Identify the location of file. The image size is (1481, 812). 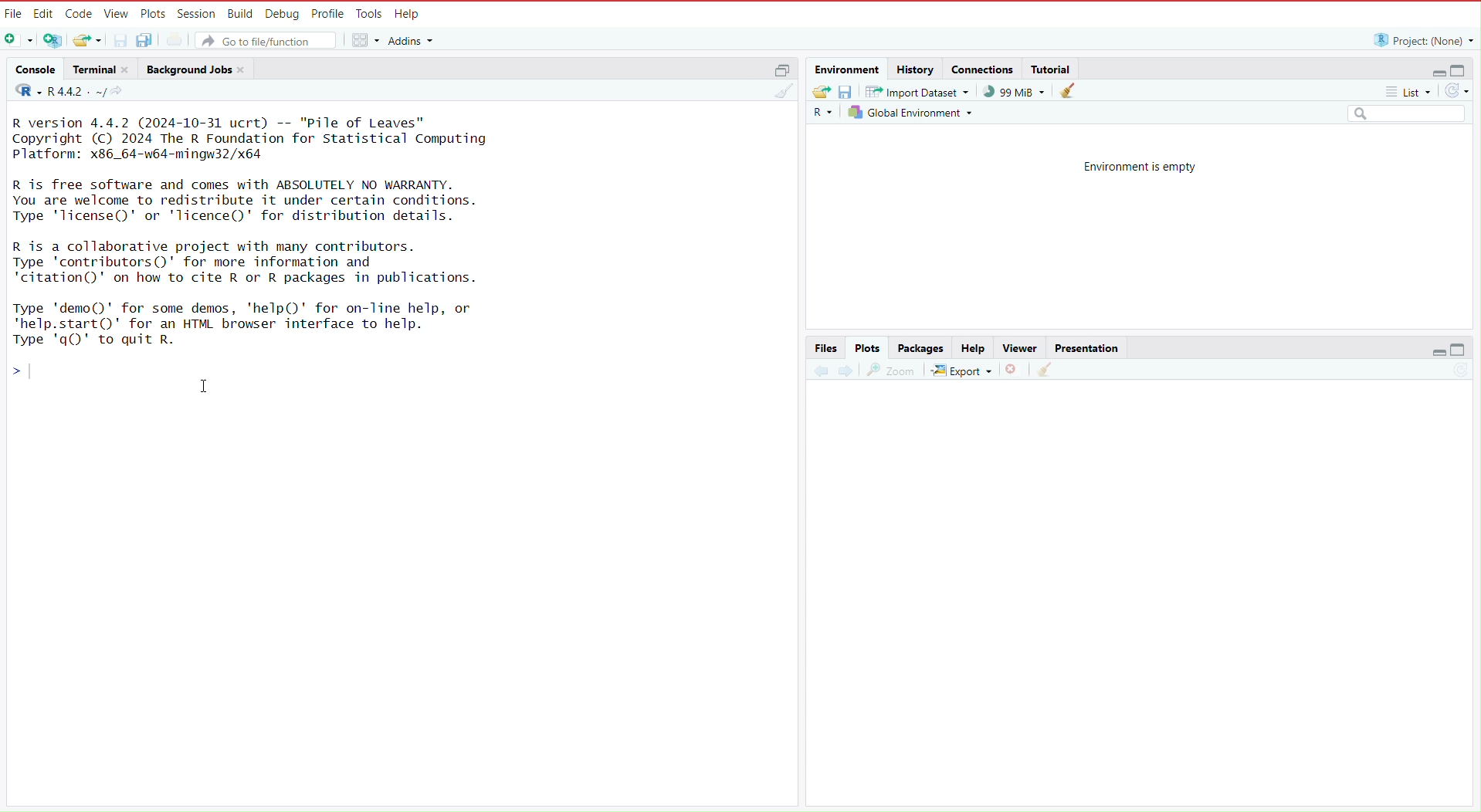
(14, 12).